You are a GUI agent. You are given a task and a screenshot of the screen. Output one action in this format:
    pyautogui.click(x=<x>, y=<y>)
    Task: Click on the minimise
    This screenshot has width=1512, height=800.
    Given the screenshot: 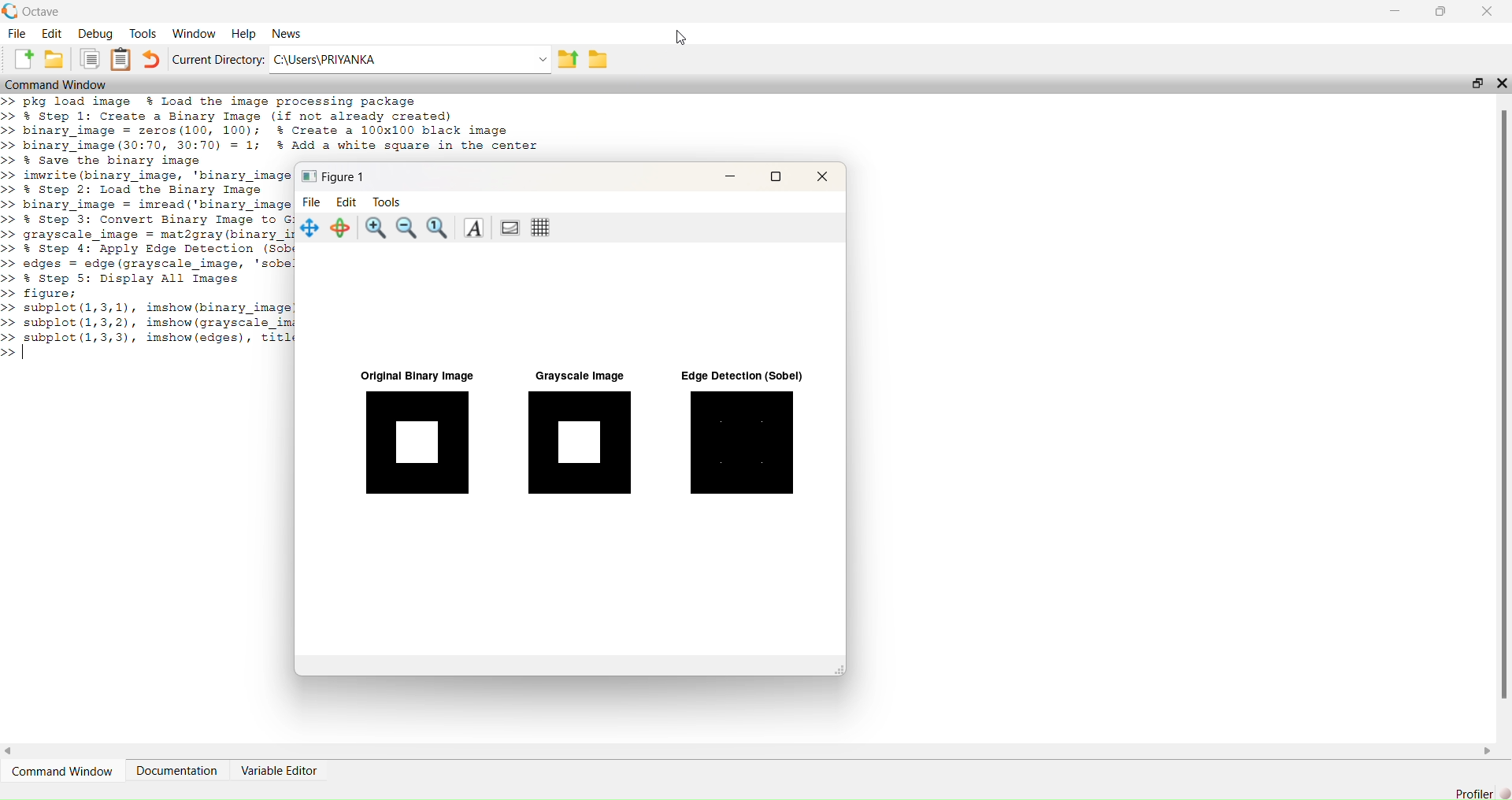 What is the action you would take?
    pyautogui.click(x=730, y=176)
    